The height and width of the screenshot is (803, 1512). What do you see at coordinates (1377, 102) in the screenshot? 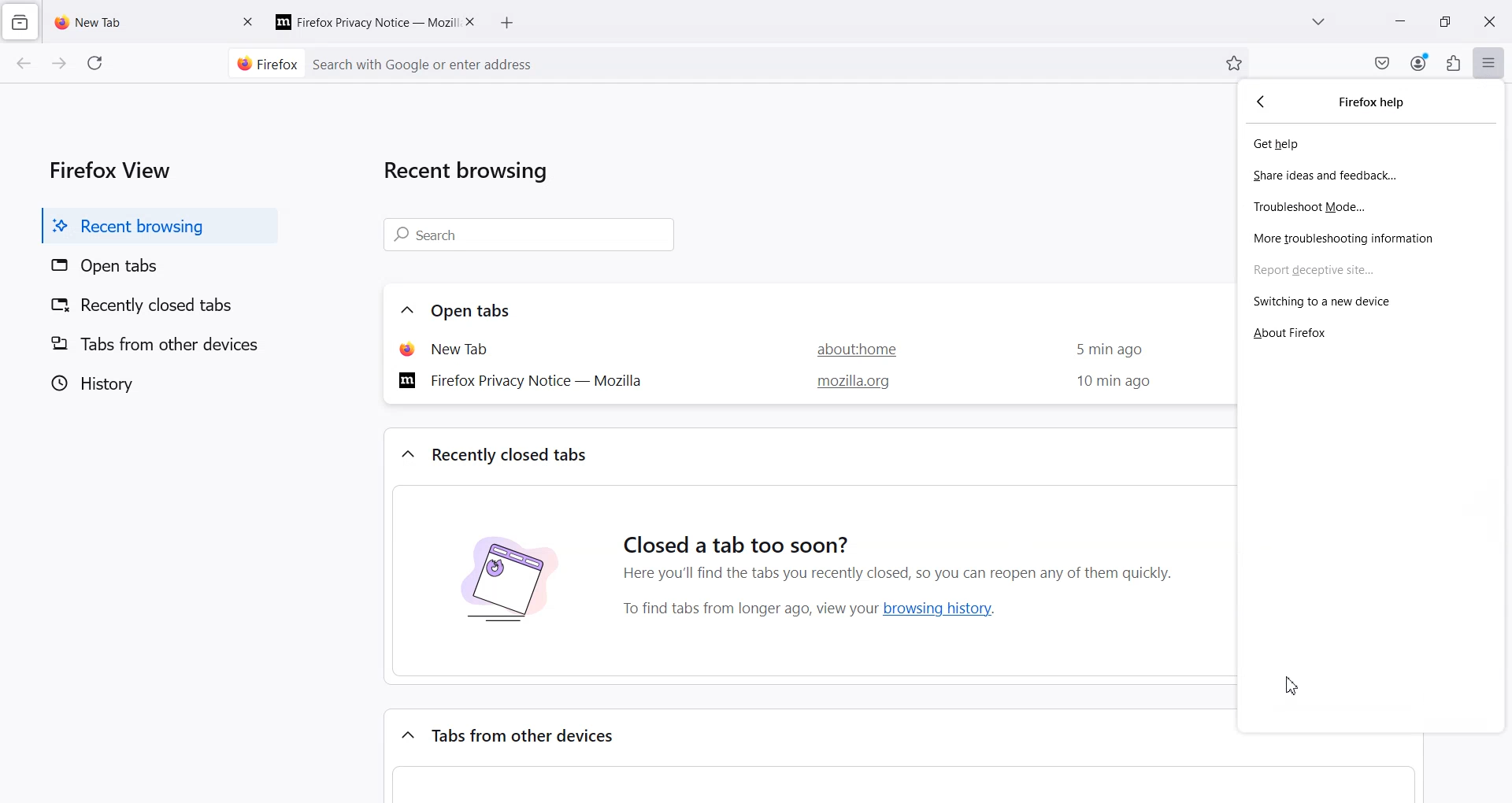
I see `Firefox help` at bounding box center [1377, 102].